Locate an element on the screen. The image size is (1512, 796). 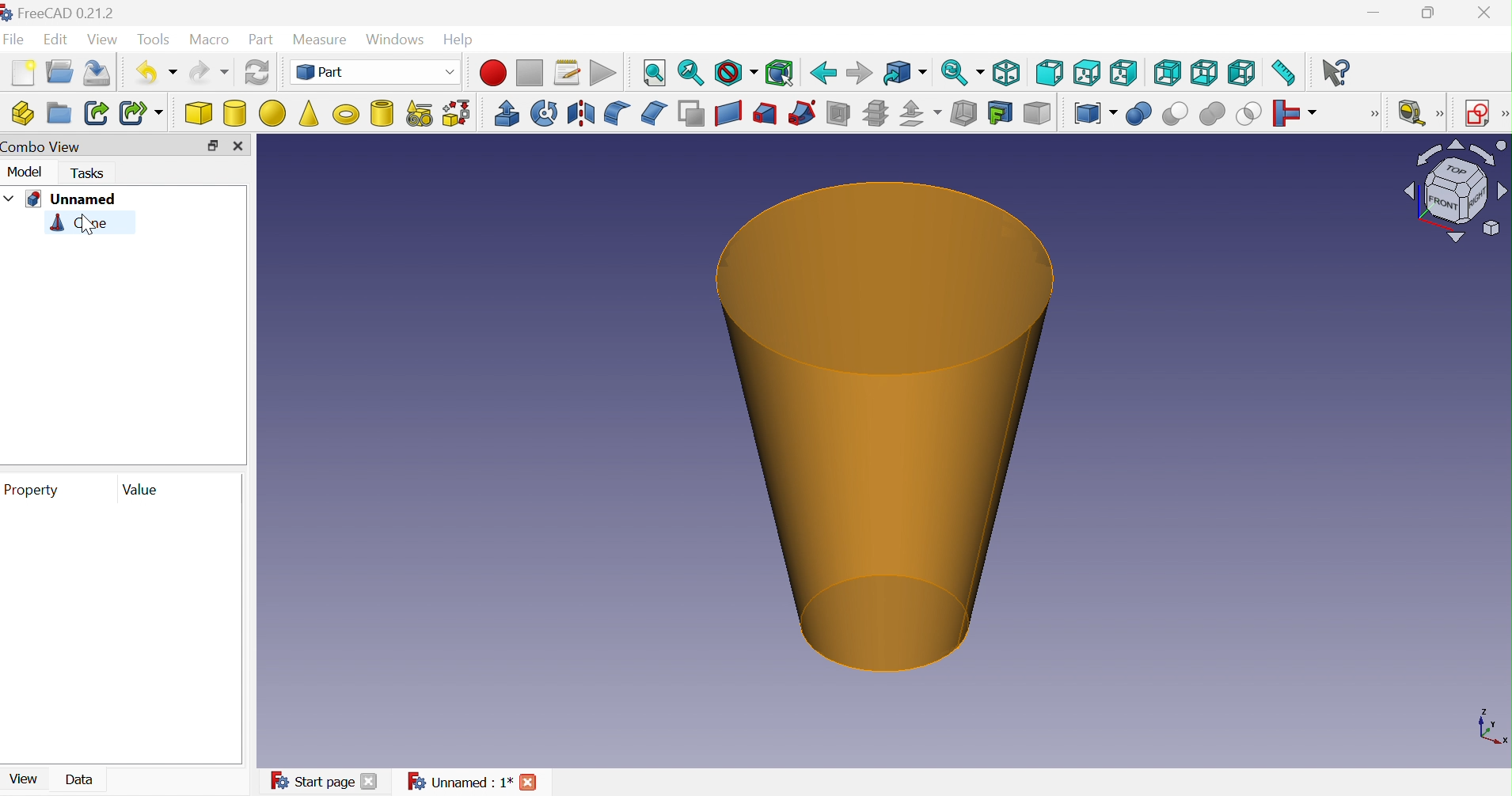
Cone is located at coordinates (80, 225).